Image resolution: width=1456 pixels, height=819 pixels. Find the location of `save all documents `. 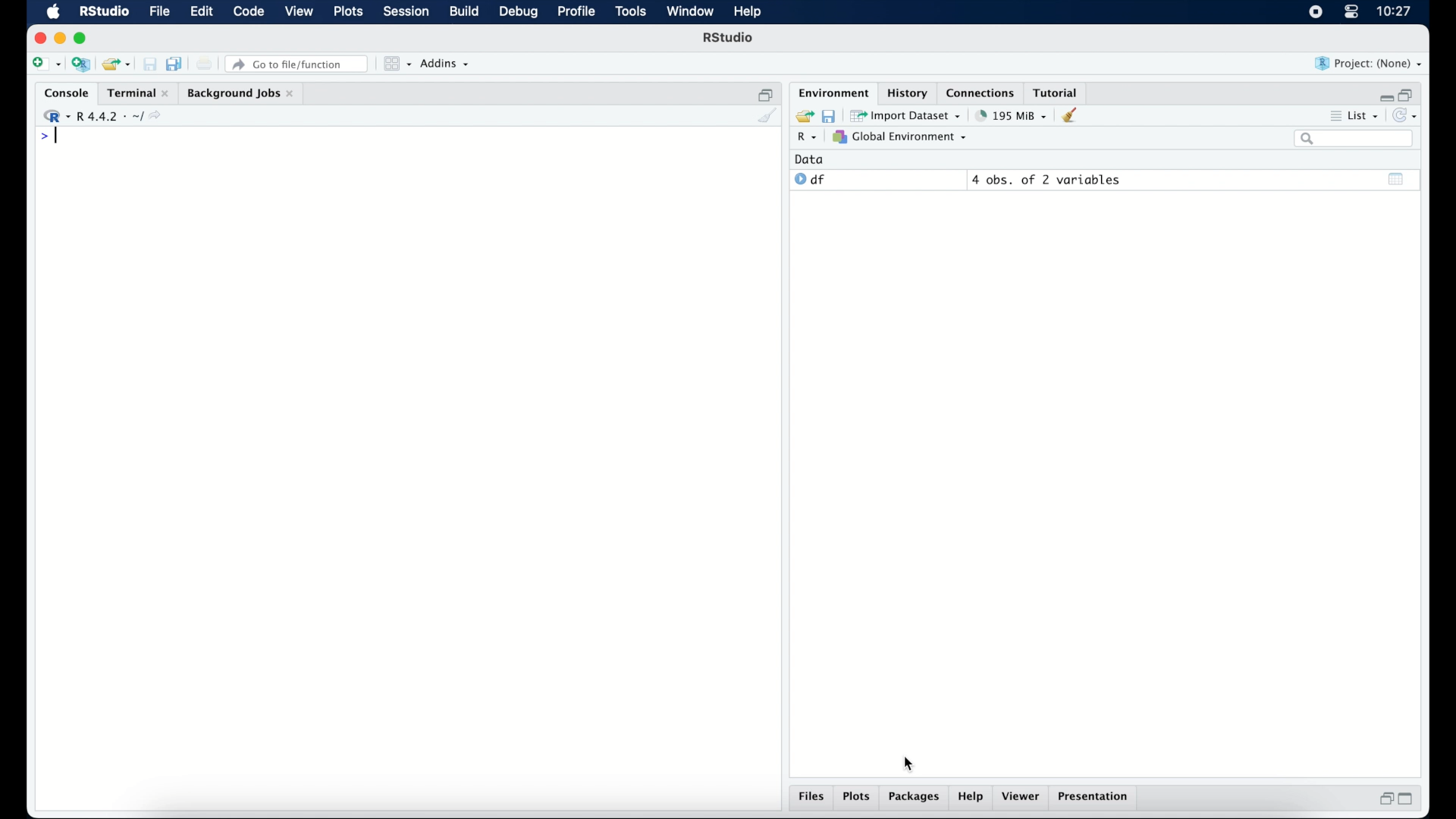

save all documents  is located at coordinates (176, 63).